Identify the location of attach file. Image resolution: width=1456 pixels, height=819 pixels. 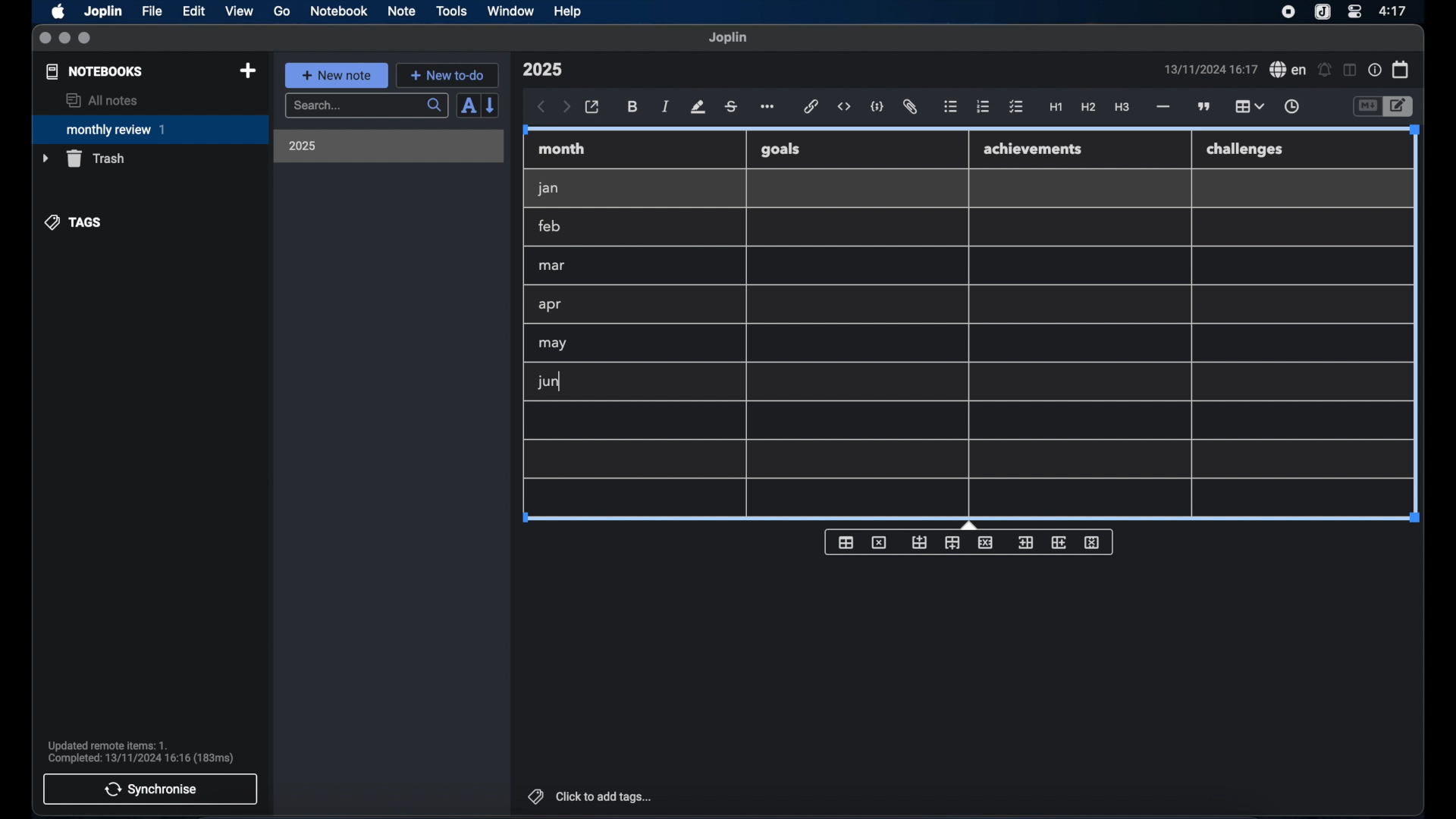
(910, 107).